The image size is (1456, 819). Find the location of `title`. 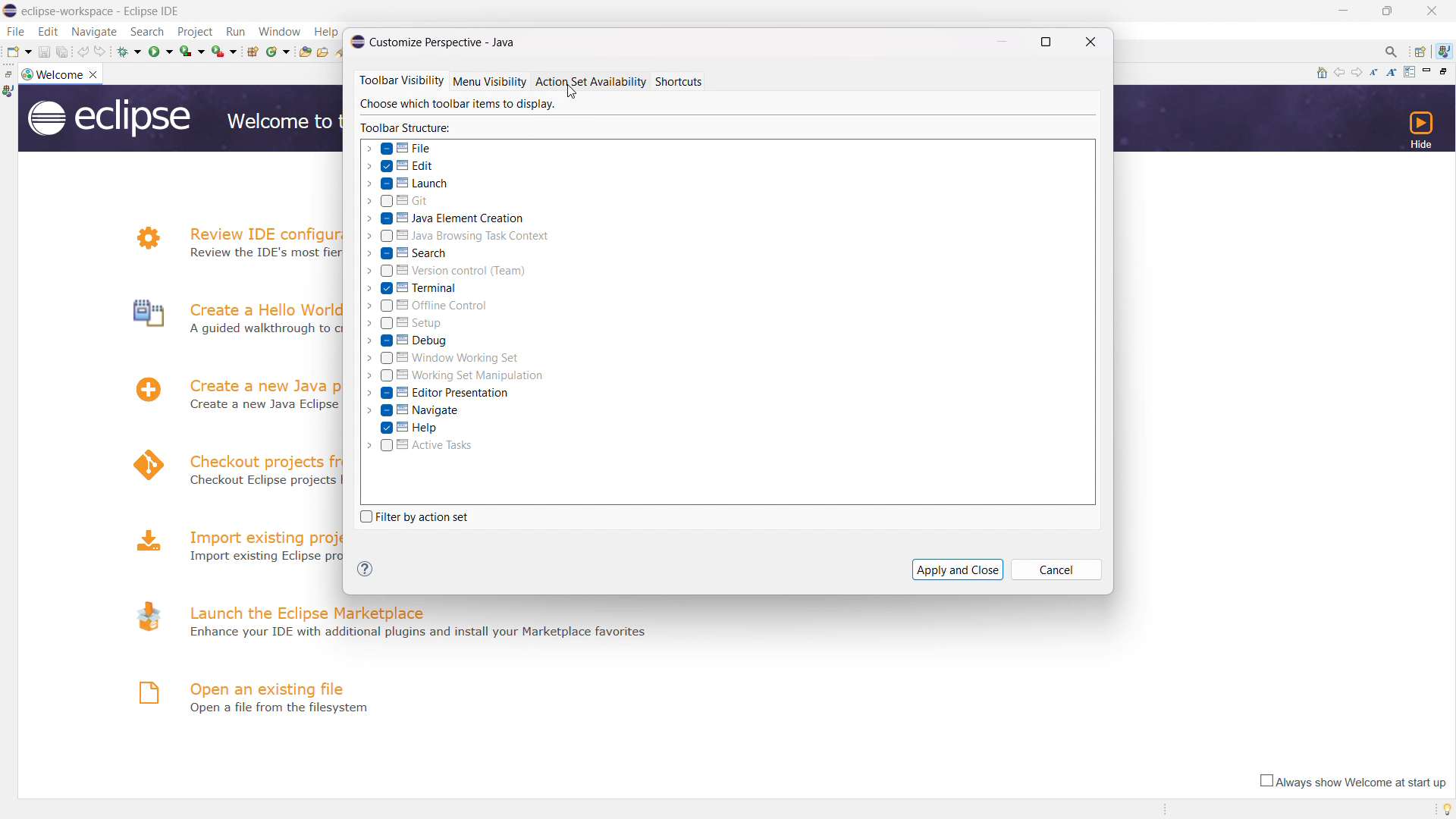

title is located at coordinates (445, 42).